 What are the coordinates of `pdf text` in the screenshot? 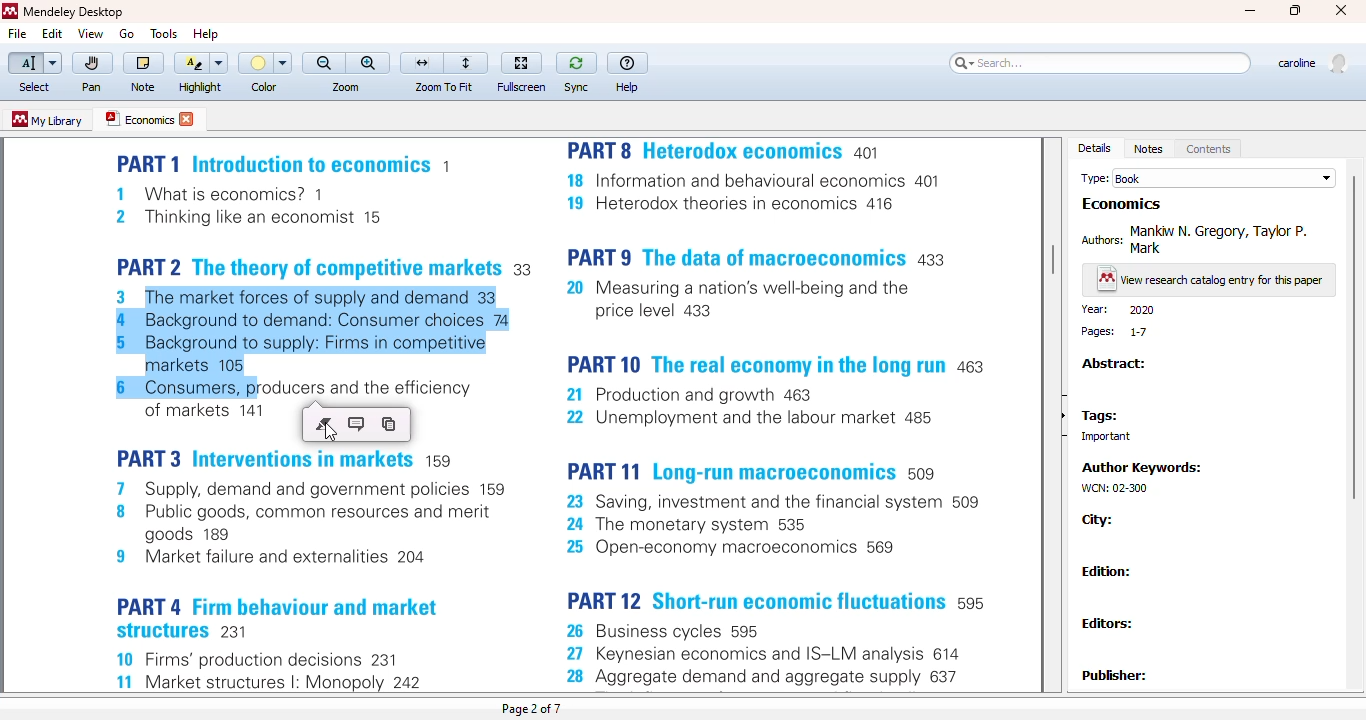 It's located at (303, 276).